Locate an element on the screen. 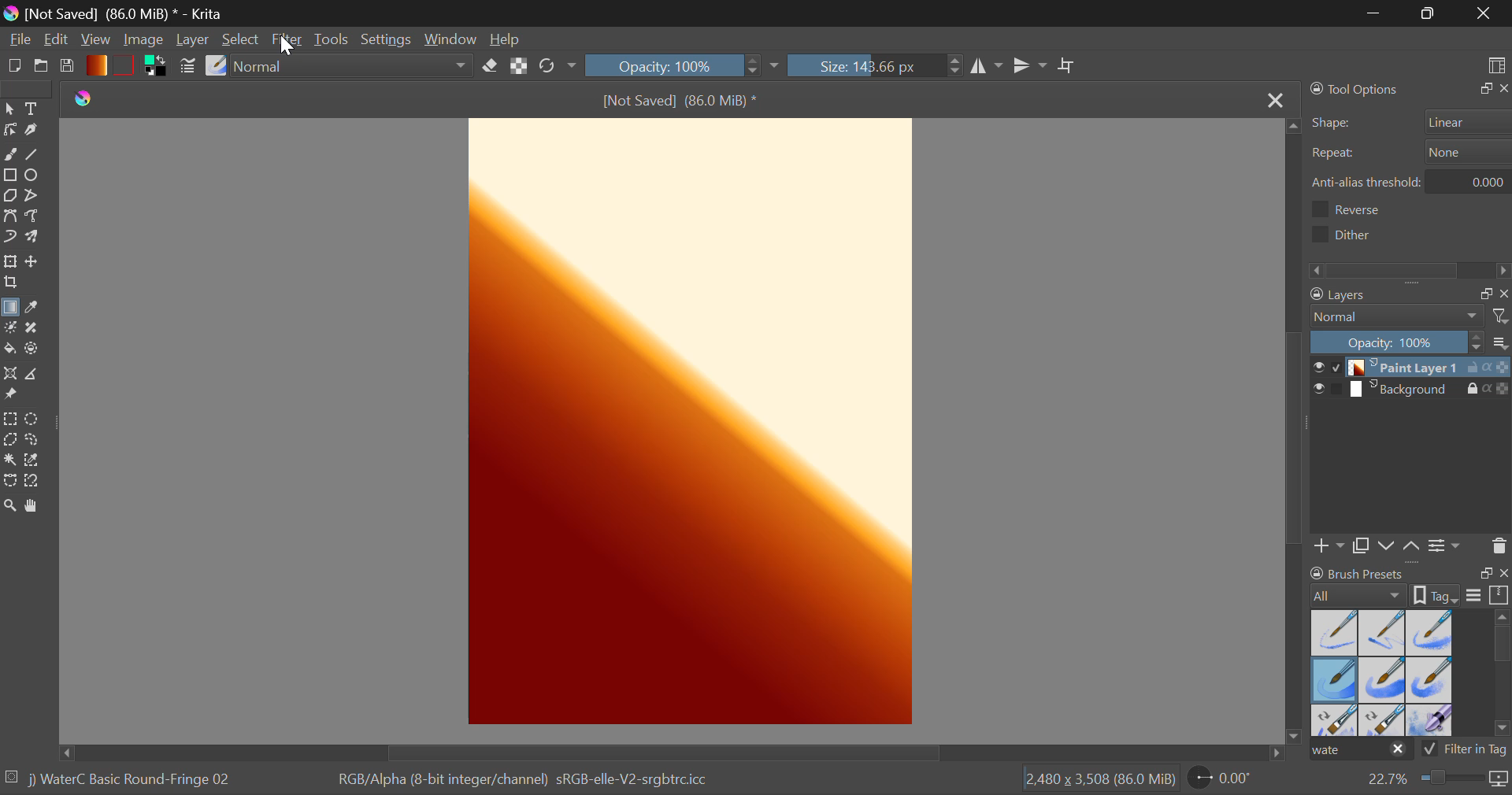 The height and width of the screenshot is (795, 1512). Transform Layers is located at coordinates (9, 261).